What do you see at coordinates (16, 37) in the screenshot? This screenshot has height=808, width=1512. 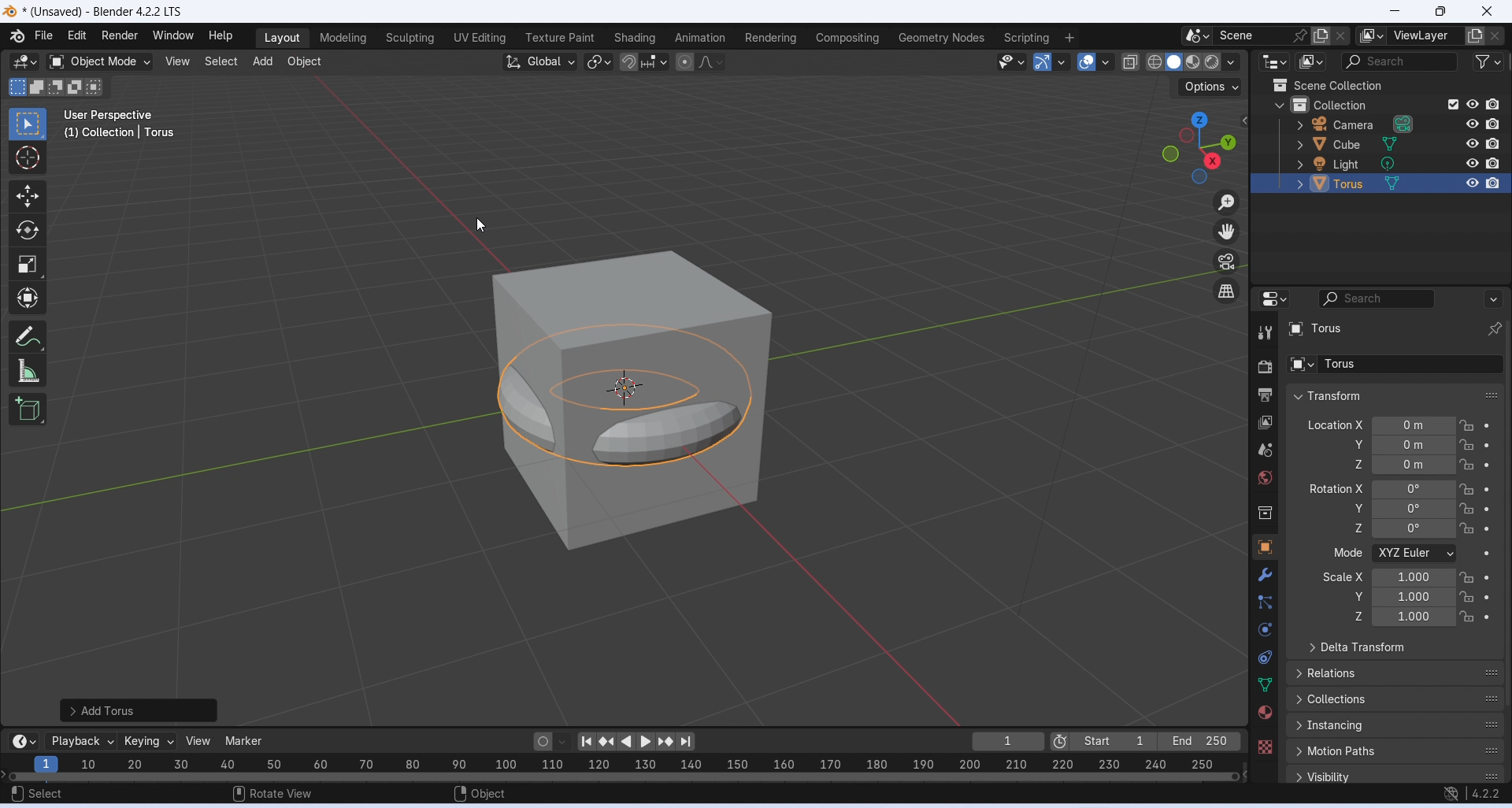 I see `Logo` at bounding box center [16, 37].